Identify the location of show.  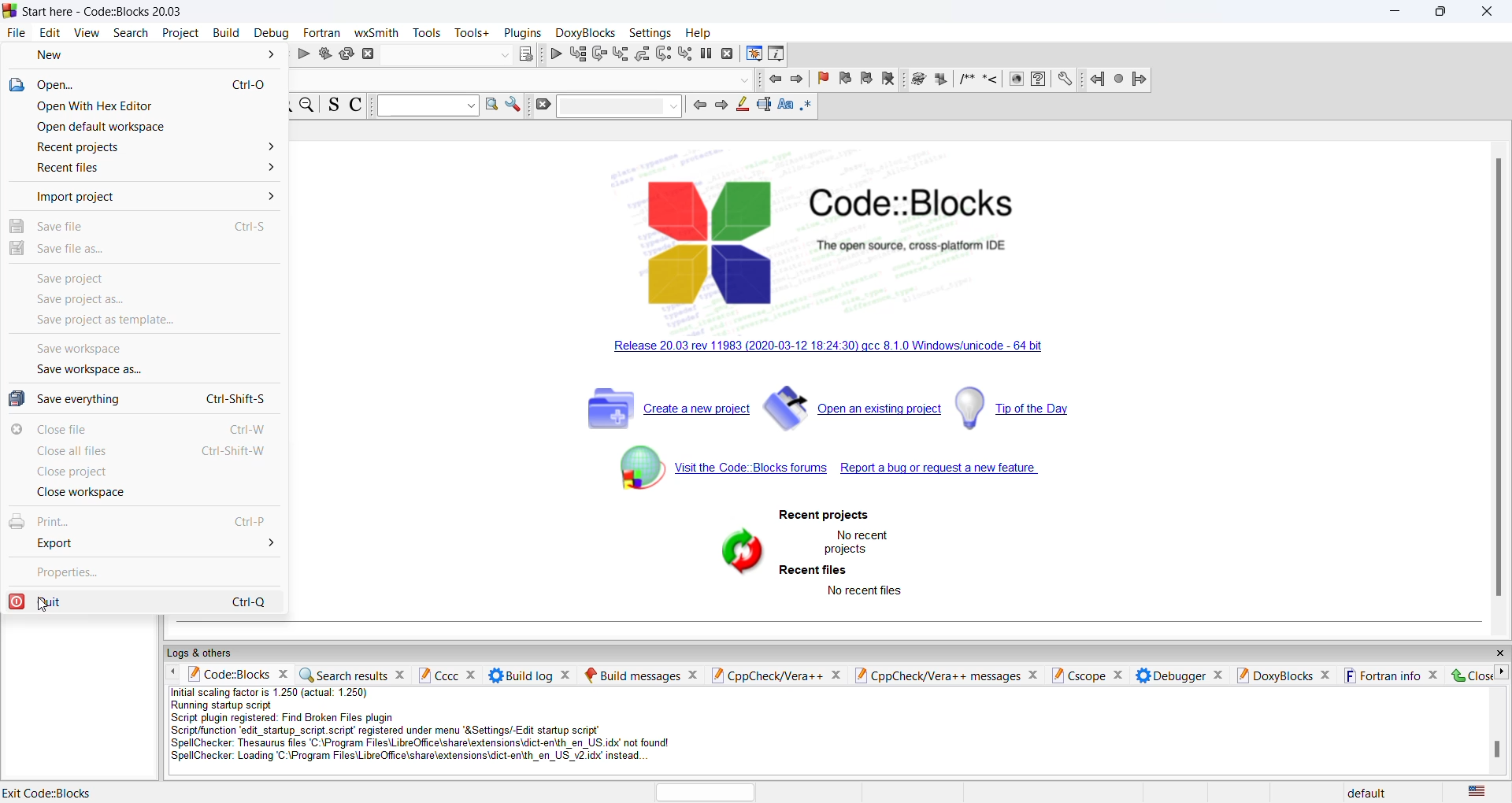
(1017, 80).